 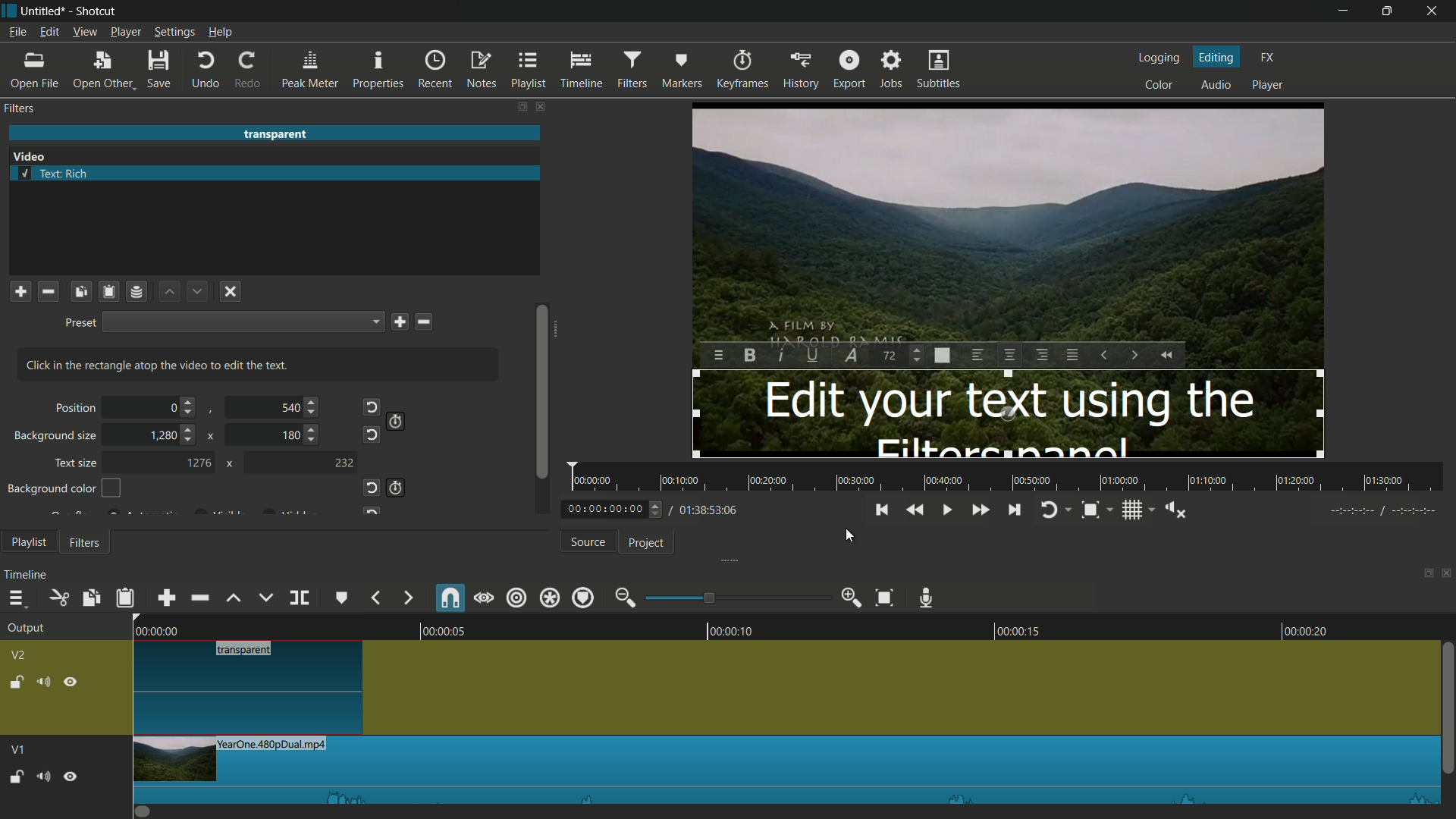 What do you see at coordinates (158, 71) in the screenshot?
I see `save` at bounding box center [158, 71].